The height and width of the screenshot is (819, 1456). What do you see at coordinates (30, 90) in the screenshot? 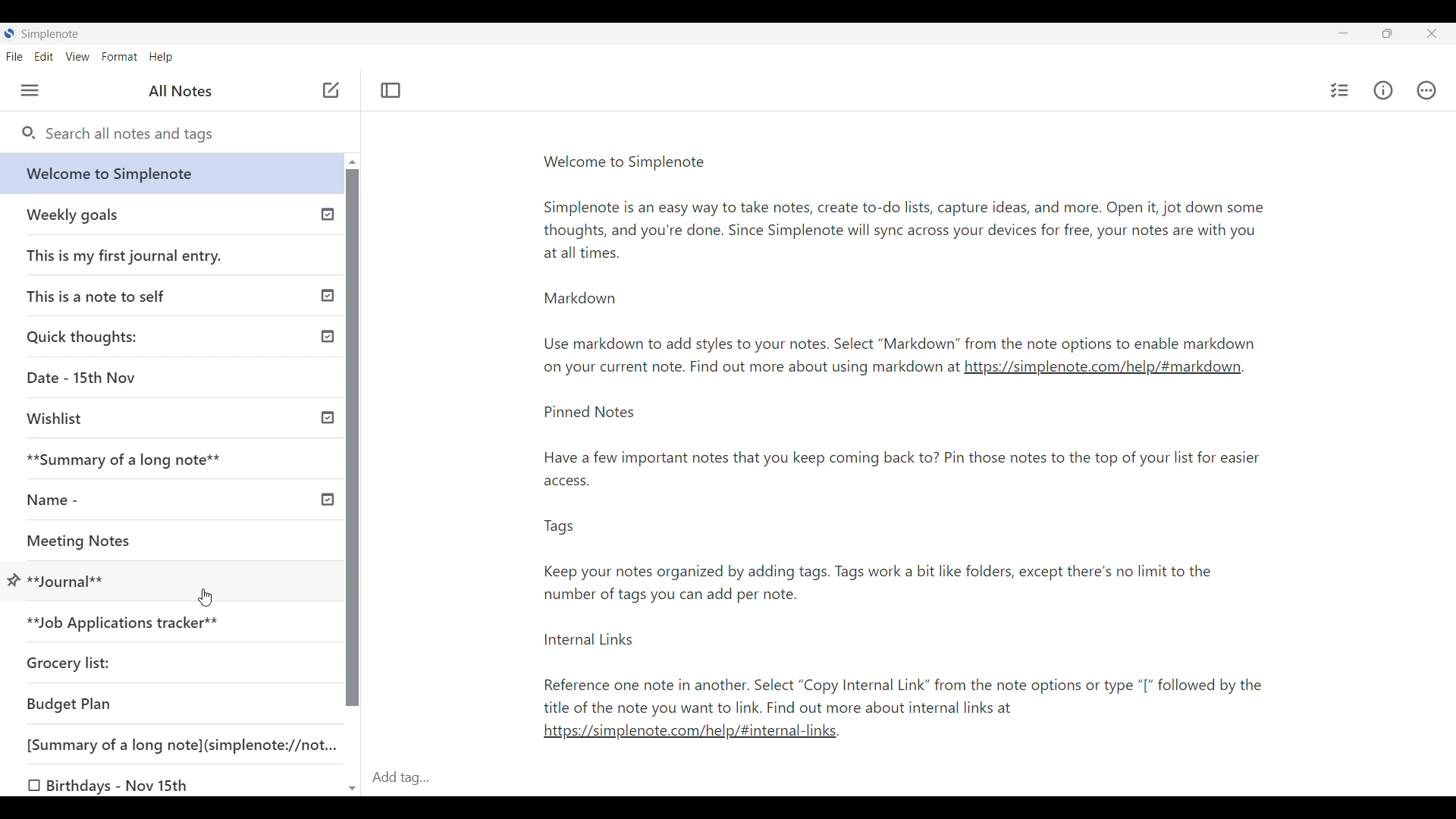
I see `Menu` at bounding box center [30, 90].